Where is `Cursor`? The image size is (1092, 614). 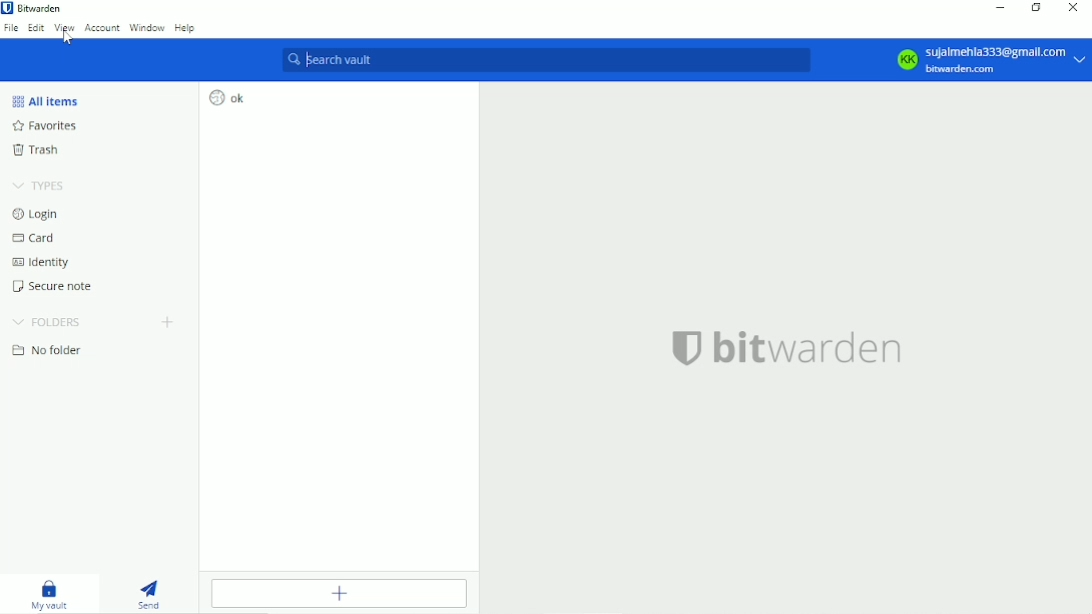
Cursor is located at coordinates (68, 38).